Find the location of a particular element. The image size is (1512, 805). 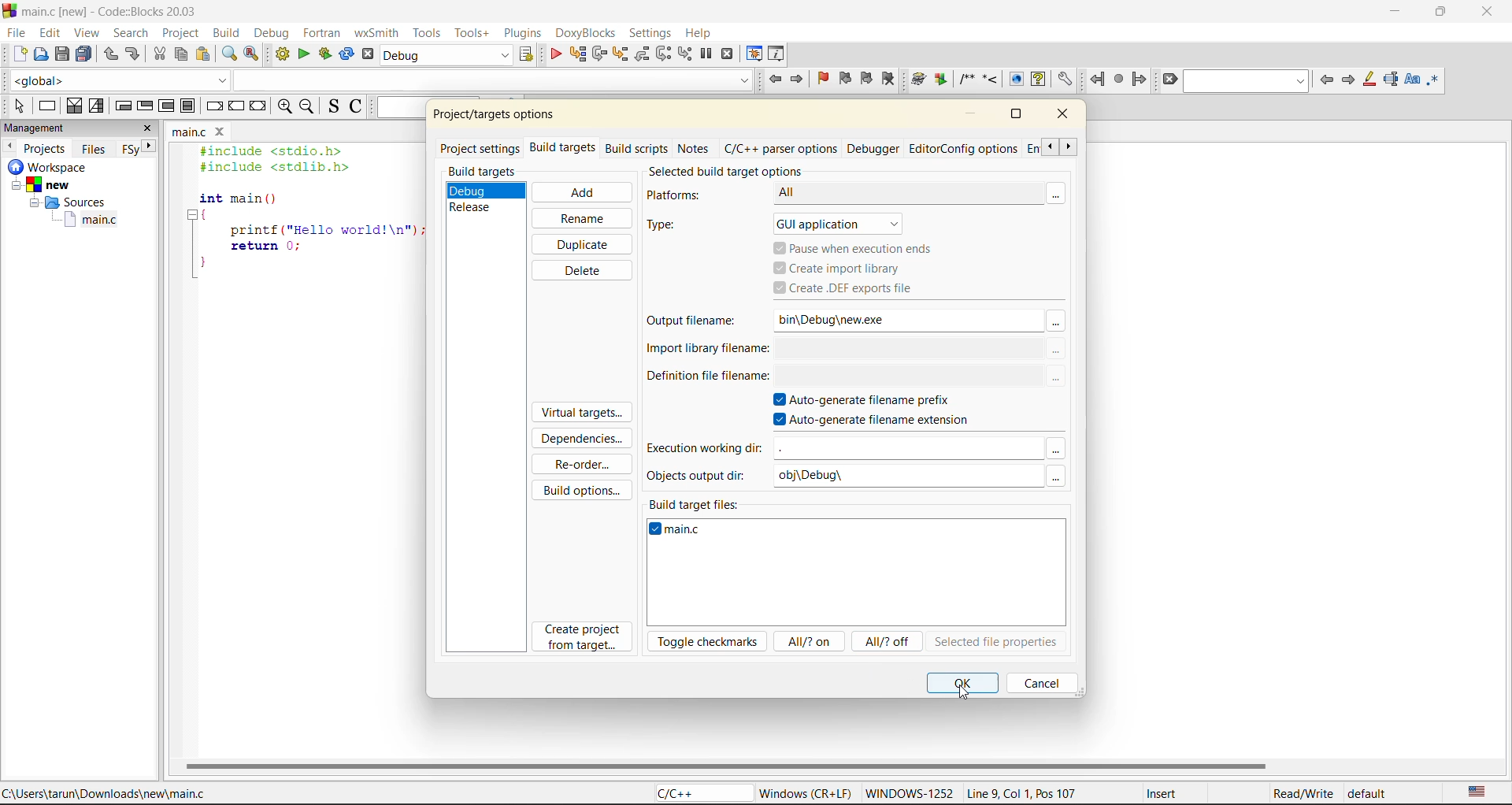

editor/config options is located at coordinates (973, 150).